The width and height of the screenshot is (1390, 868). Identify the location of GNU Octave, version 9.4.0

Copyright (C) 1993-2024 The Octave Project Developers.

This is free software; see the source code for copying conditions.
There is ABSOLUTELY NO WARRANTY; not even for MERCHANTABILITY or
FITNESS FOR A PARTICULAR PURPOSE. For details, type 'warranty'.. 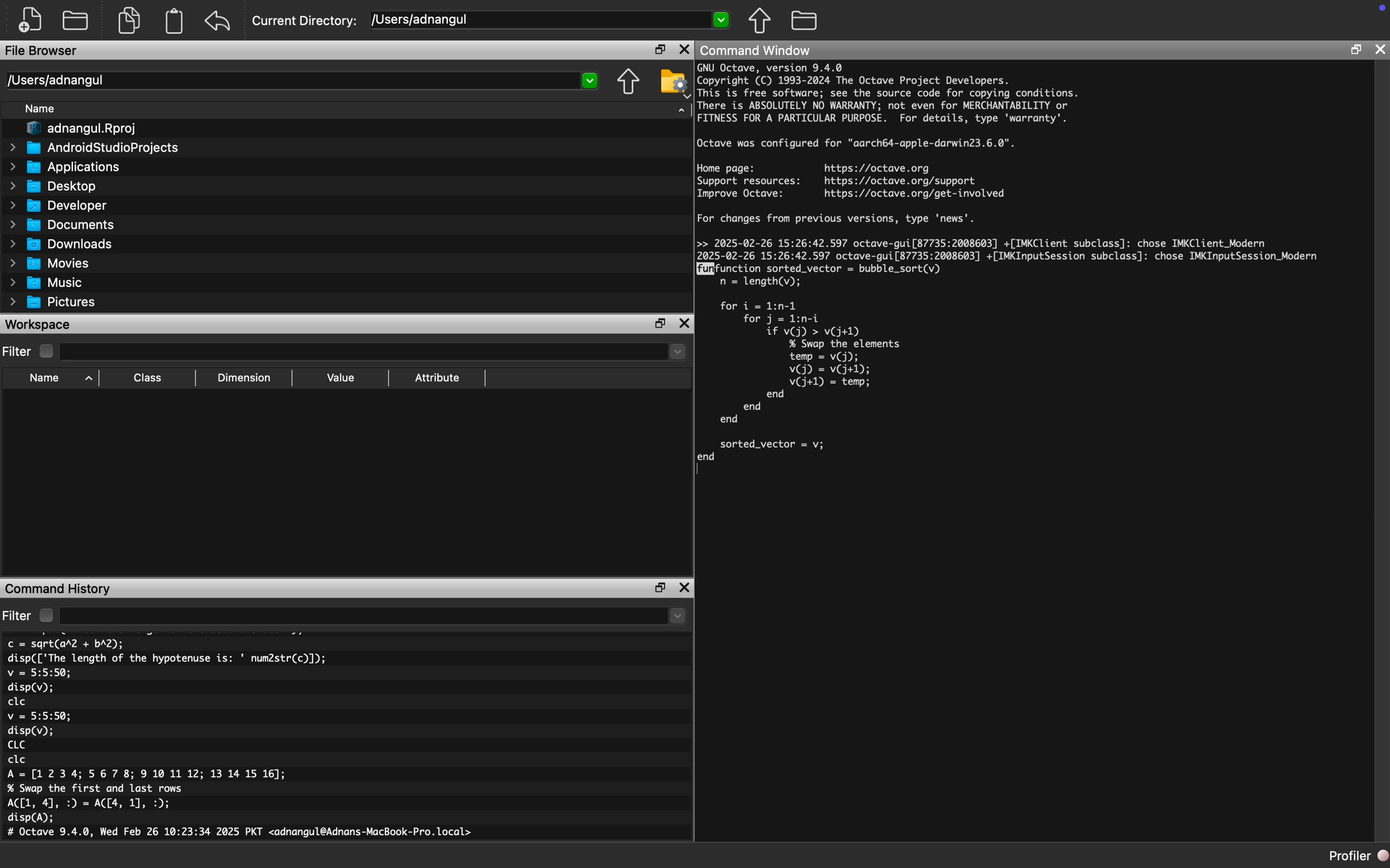
(889, 95).